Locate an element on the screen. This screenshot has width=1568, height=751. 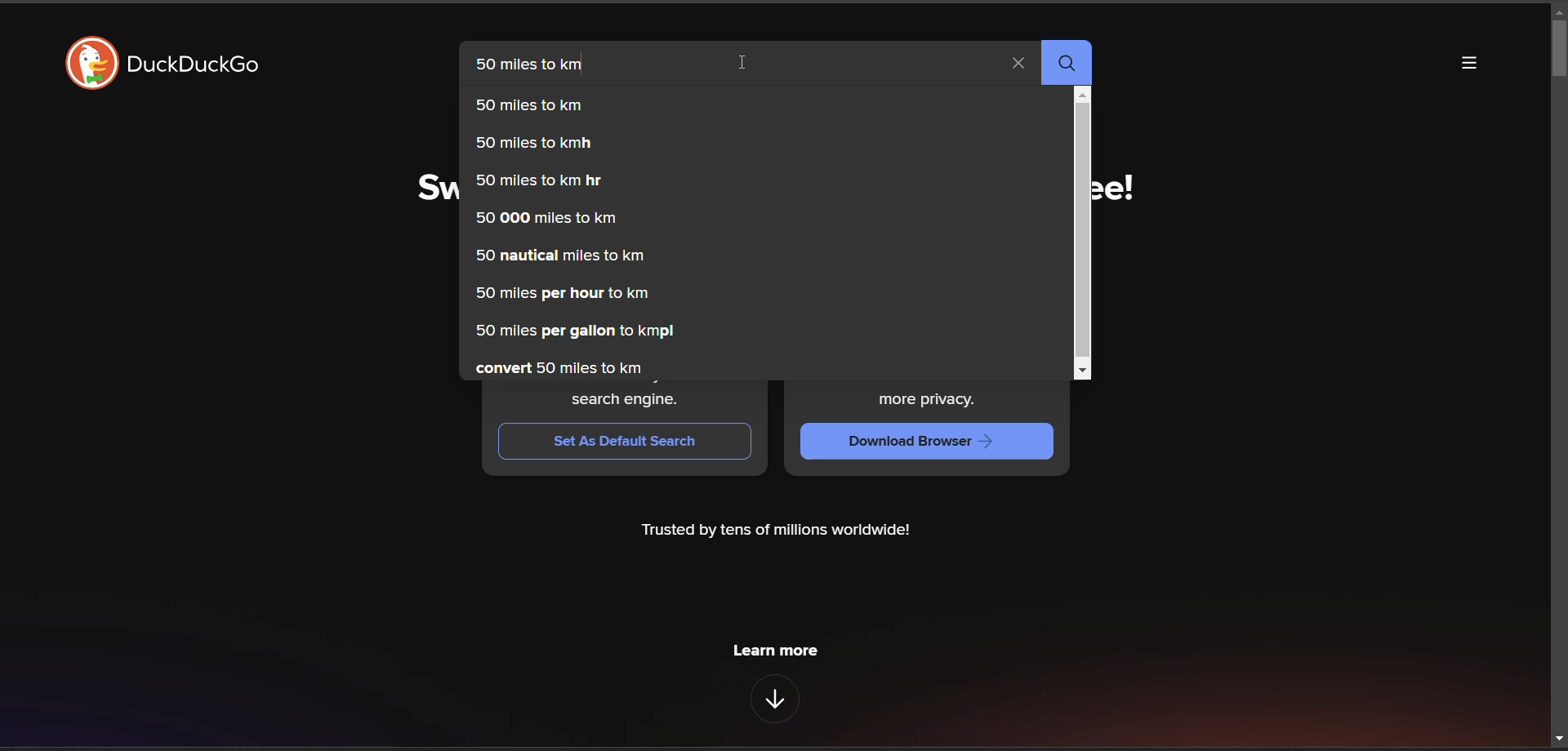
vertical scroll bar is located at coordinates (1082, 232).